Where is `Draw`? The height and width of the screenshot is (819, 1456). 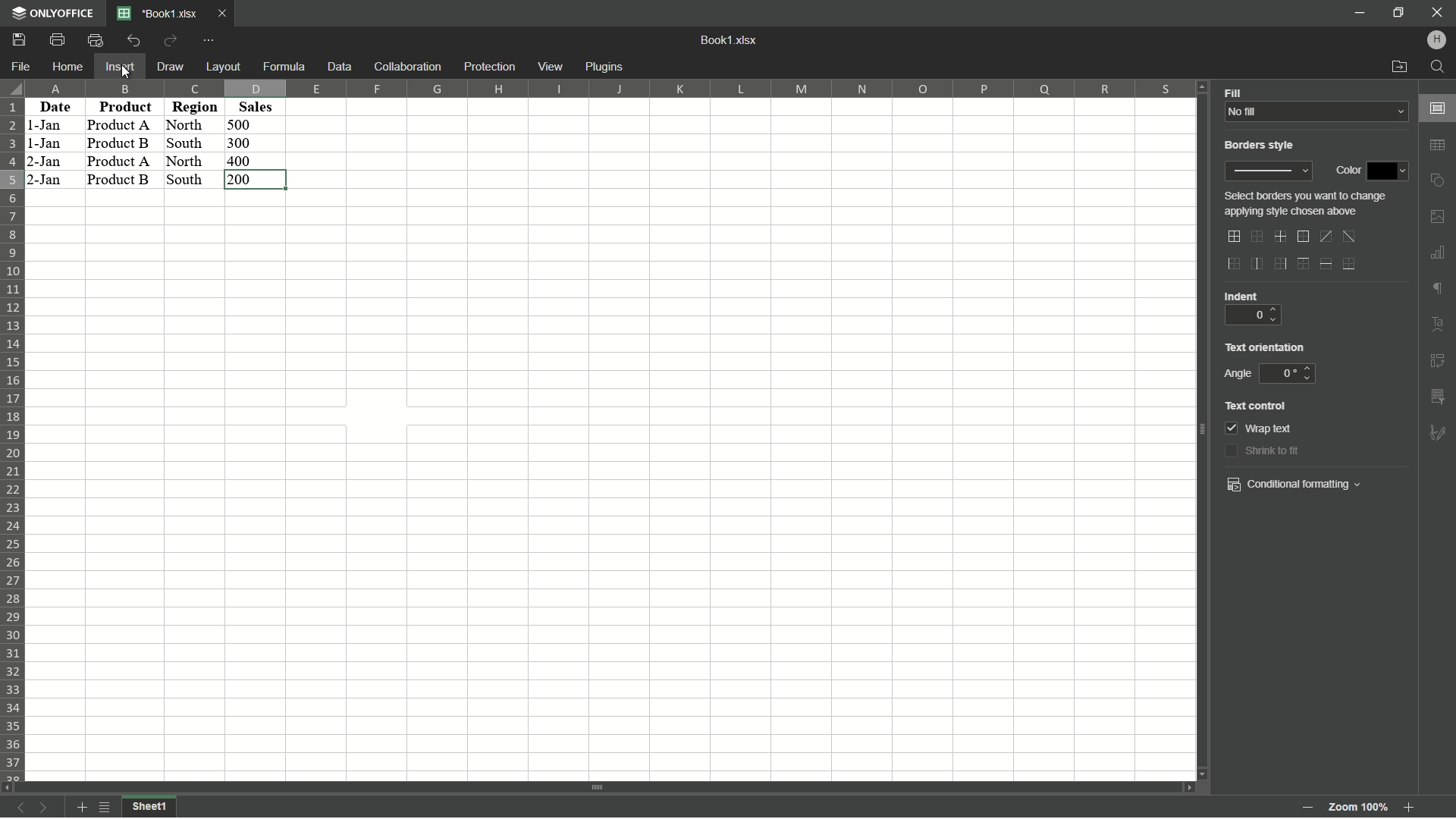
Draw is located at coordinates (170, 65).